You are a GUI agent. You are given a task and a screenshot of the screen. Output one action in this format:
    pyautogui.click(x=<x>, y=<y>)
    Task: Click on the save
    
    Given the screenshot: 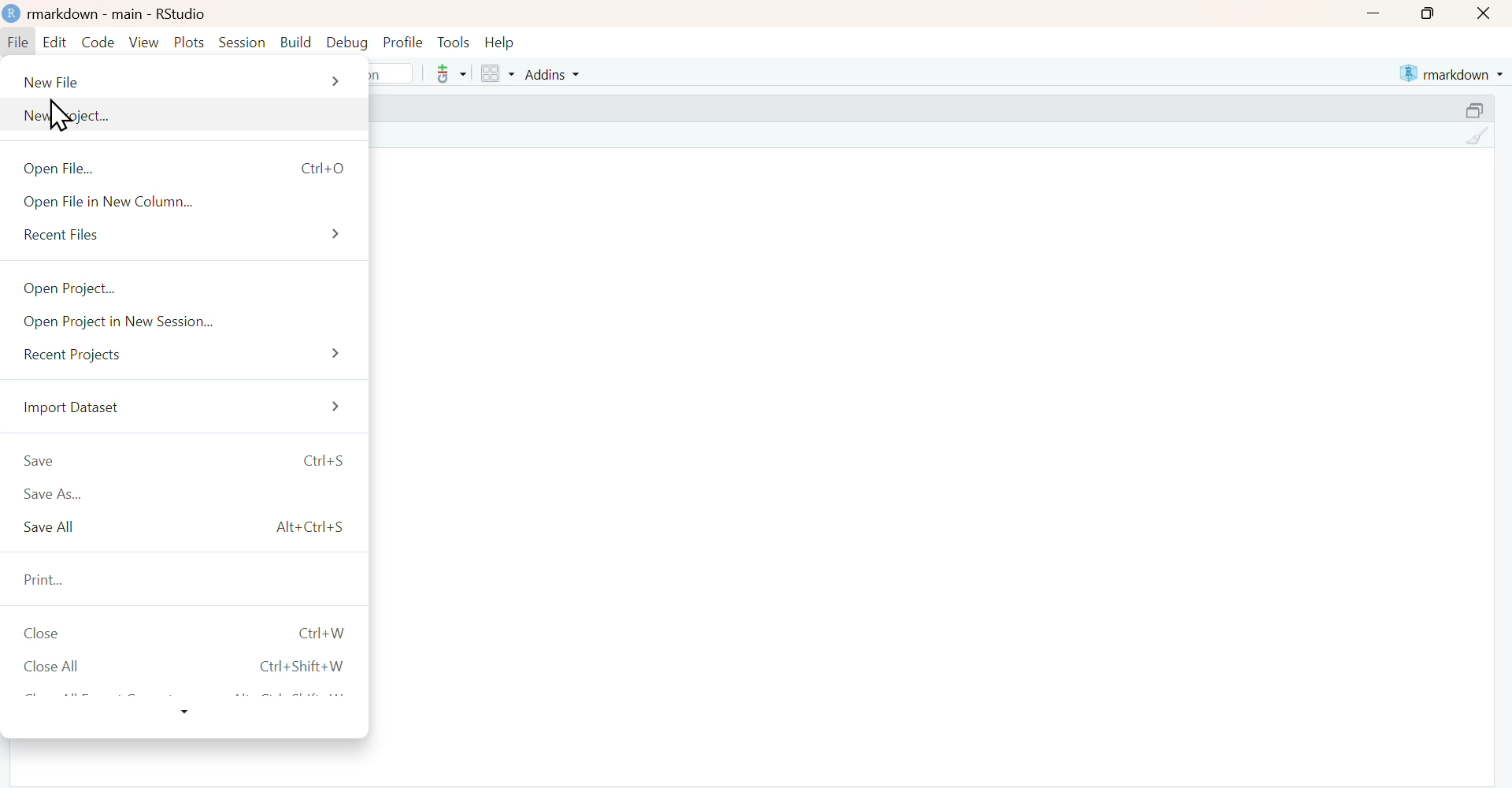 What is the action you would take?
    pyautogui.click(x=190, y=461)
    